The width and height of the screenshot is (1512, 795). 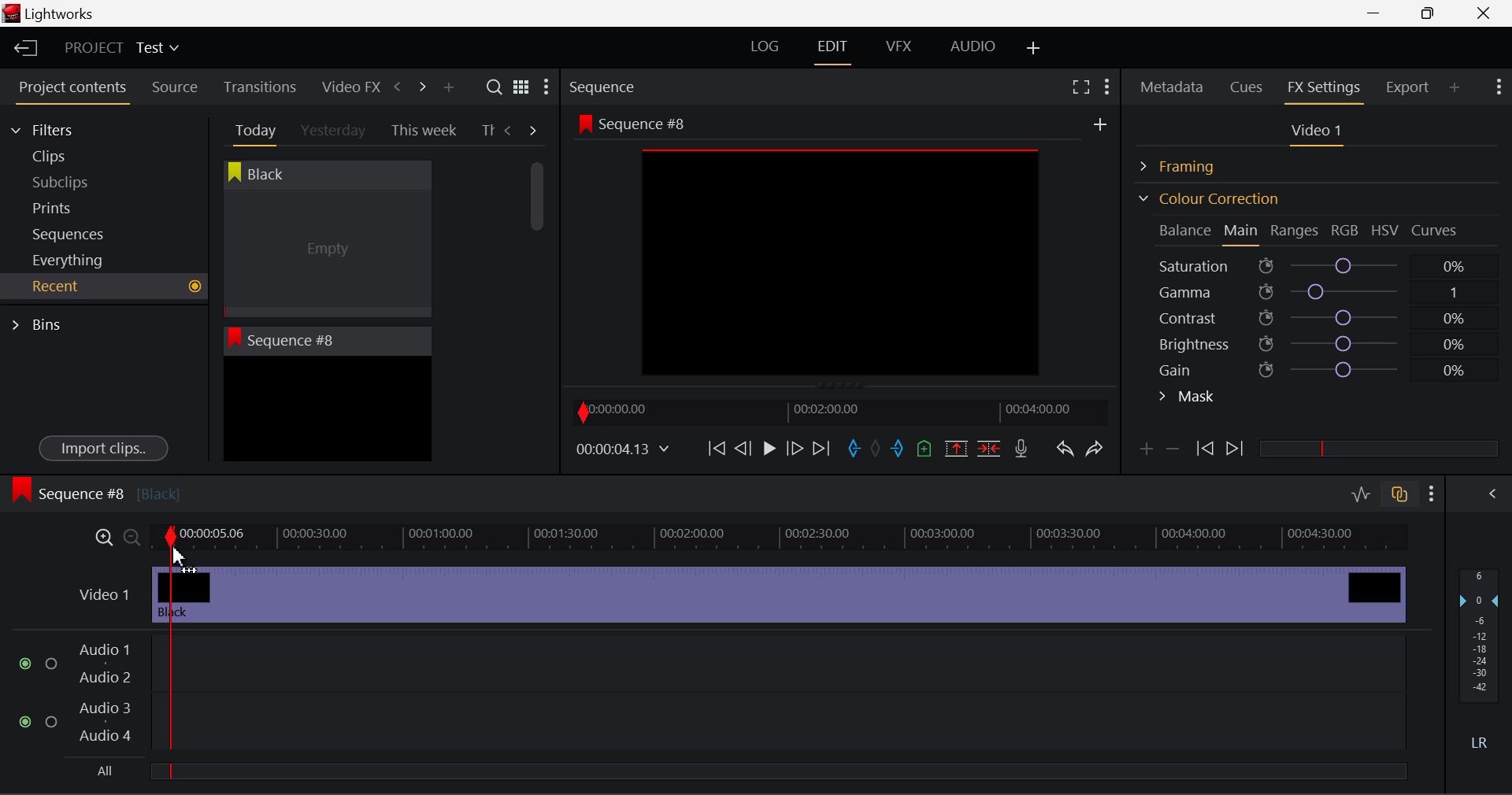 I want to click on LOG Layout, so click(x=764, y=46).